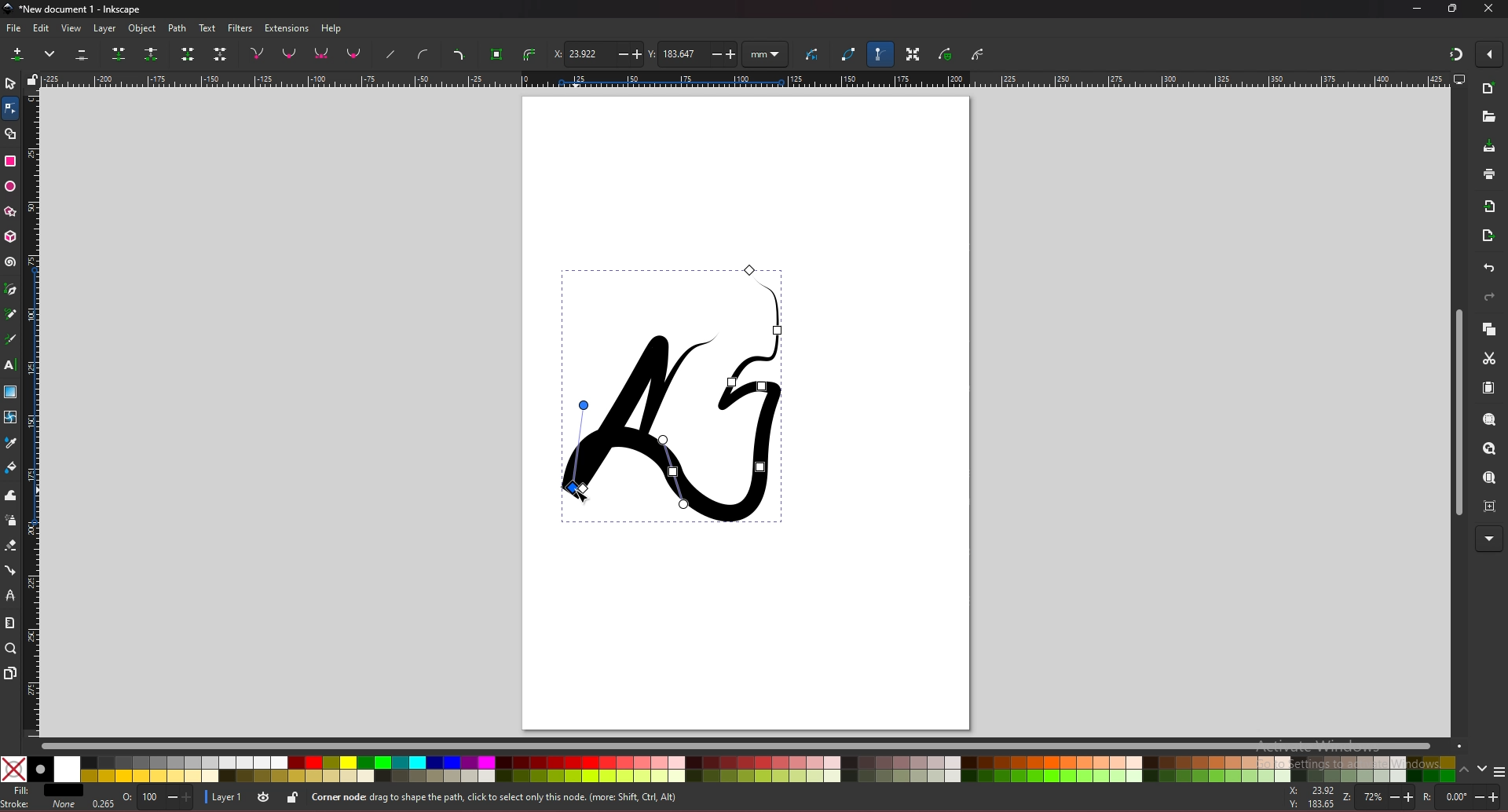 The image size is (1508, 812). What do you see at coordinates (287, 28) in the screenshot?
I see `extensions` at bounding box center [287, 28].